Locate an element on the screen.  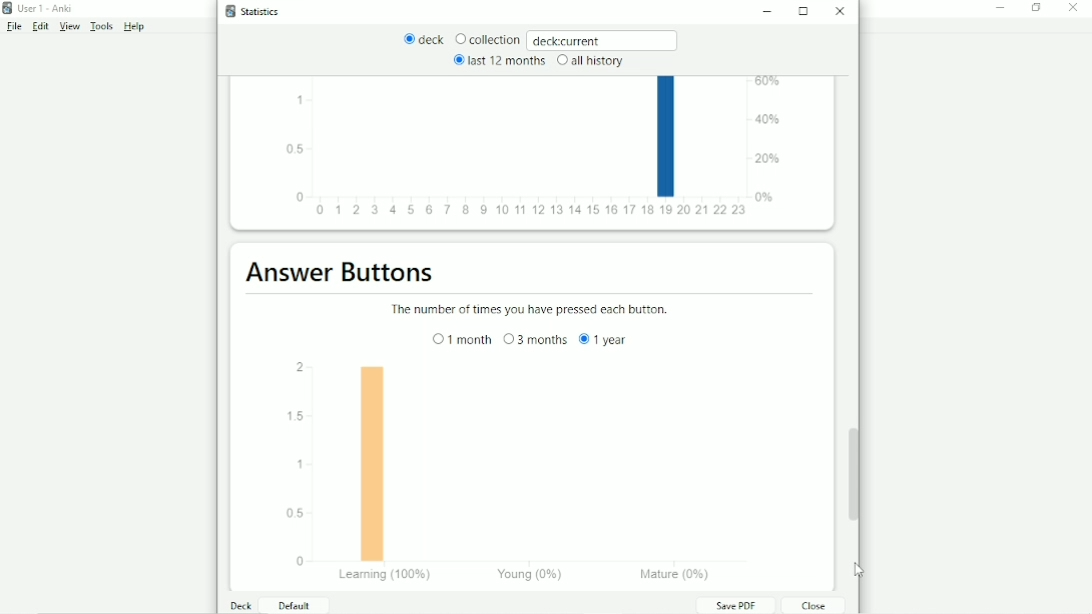
Collection is located at coordinates (487, 40).